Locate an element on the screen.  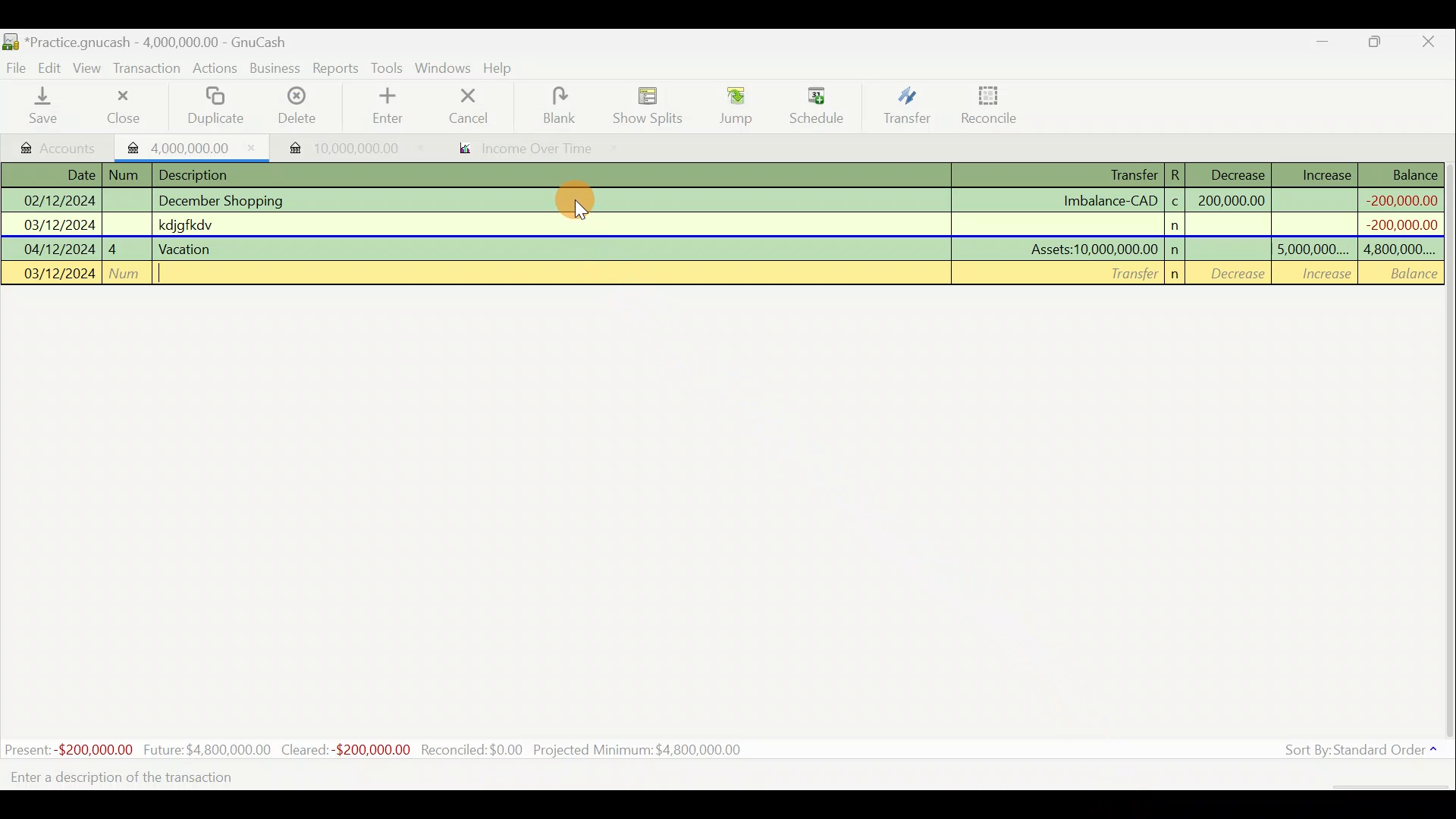
Schedule is located at coordinates (817, 106).